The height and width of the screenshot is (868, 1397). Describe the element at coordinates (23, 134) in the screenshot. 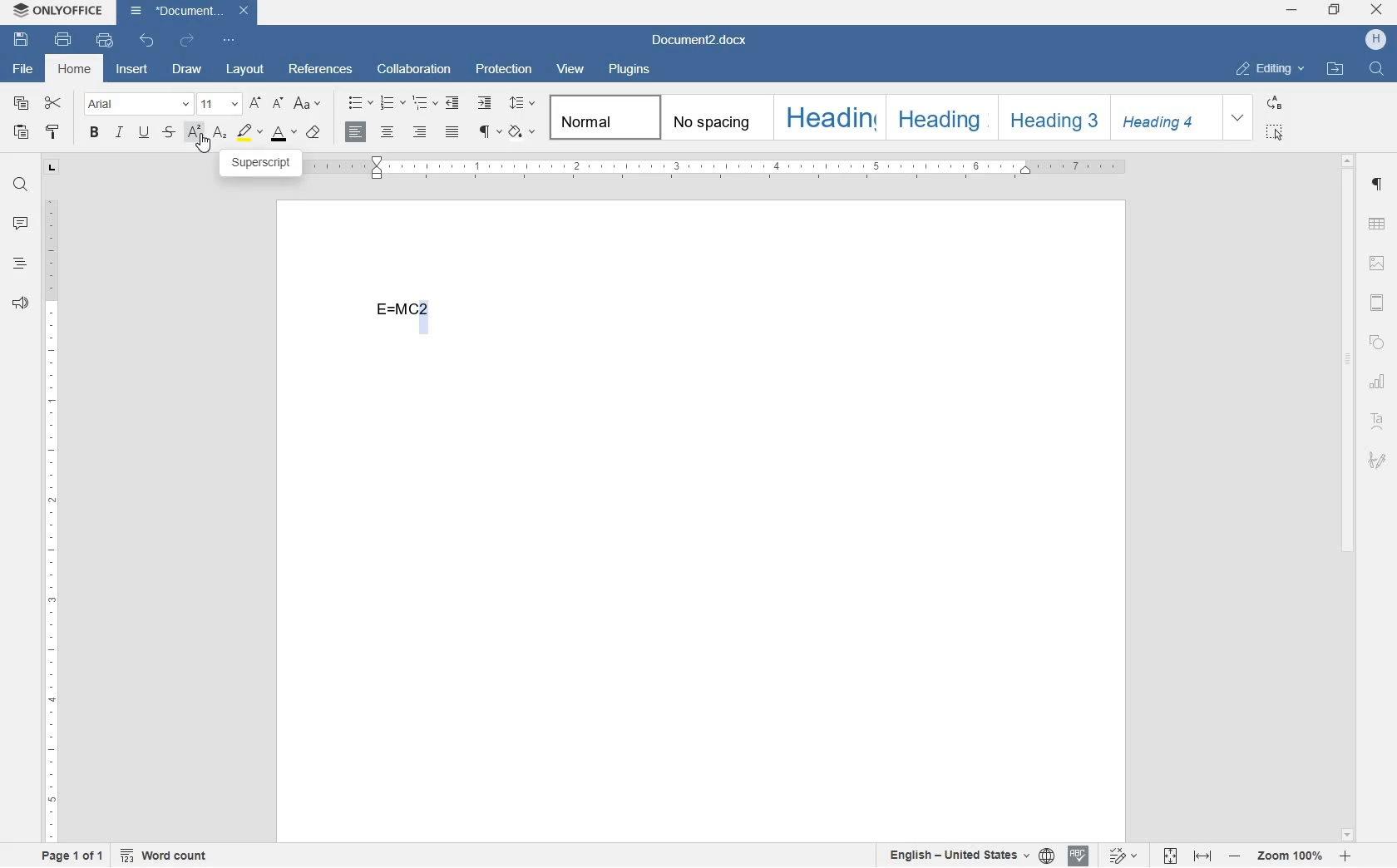

I see `paste` at that location.